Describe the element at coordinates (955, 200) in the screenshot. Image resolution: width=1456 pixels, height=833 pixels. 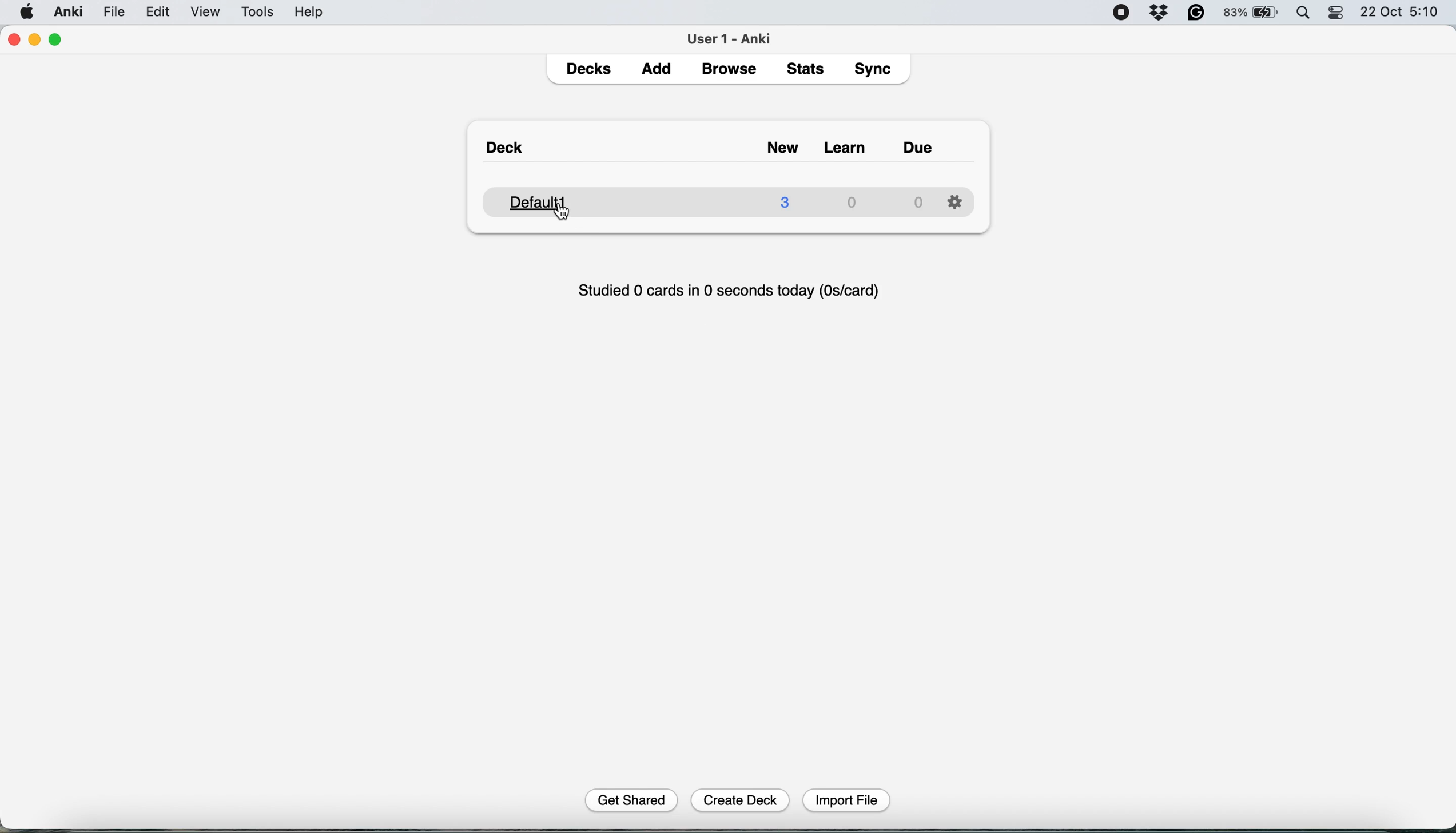
I see `Settings` at that location.